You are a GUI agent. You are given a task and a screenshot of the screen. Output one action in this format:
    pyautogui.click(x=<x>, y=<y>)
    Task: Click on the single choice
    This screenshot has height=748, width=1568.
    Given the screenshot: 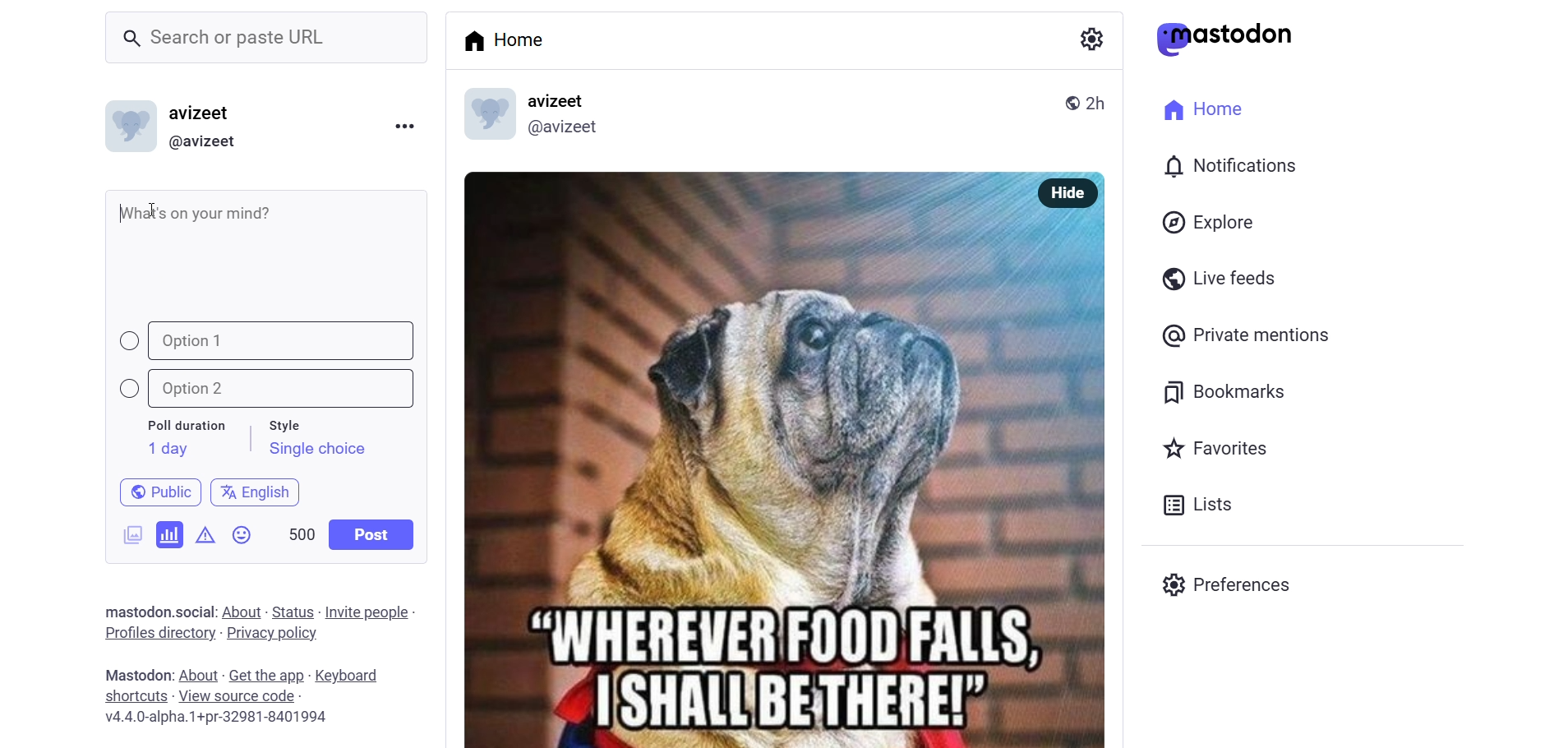 What is the action you would take?
    pyautogui.click(x=316, y=451)
    